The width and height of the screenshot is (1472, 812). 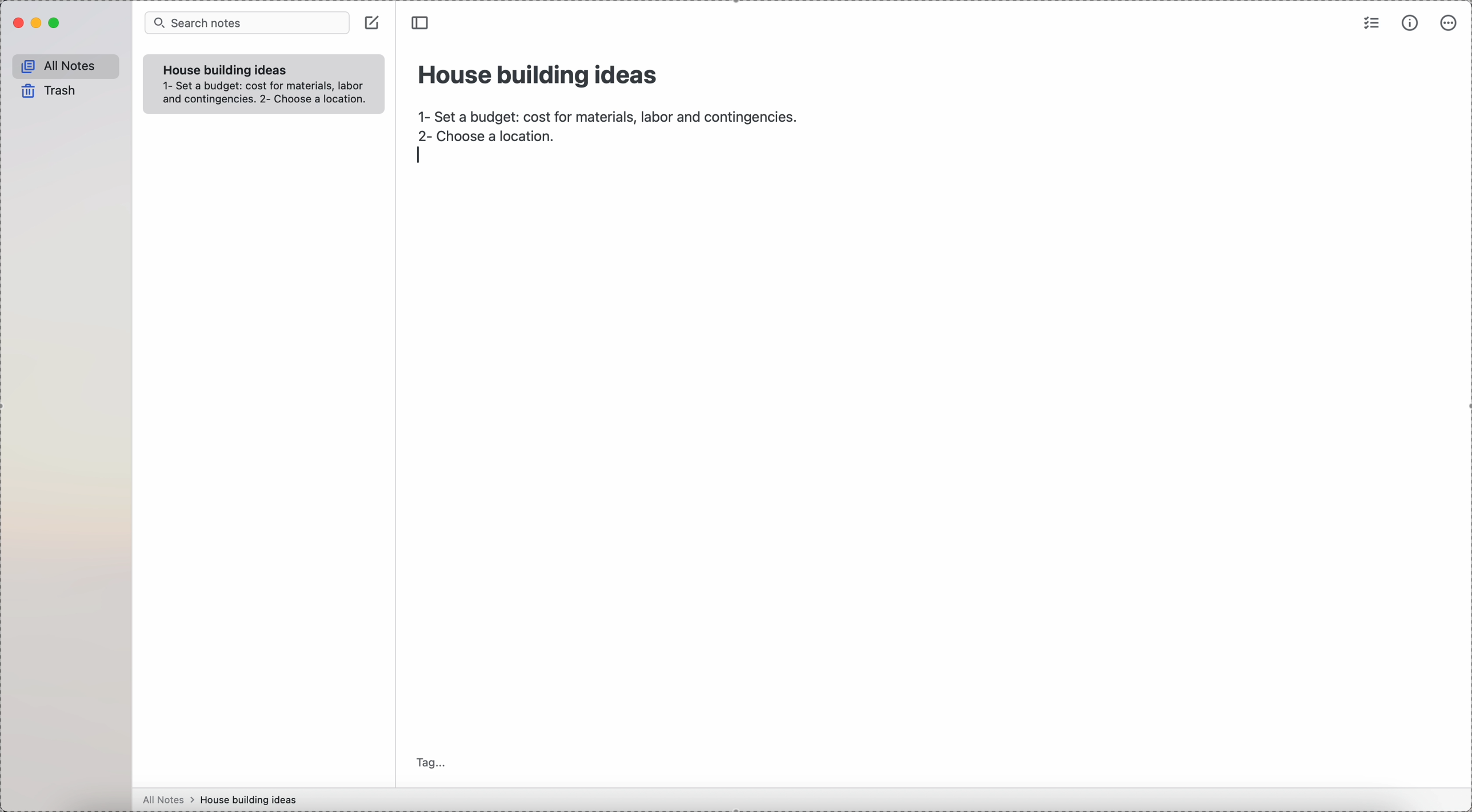 I want to click on toggle sidebar, so click(x=422, y=23).